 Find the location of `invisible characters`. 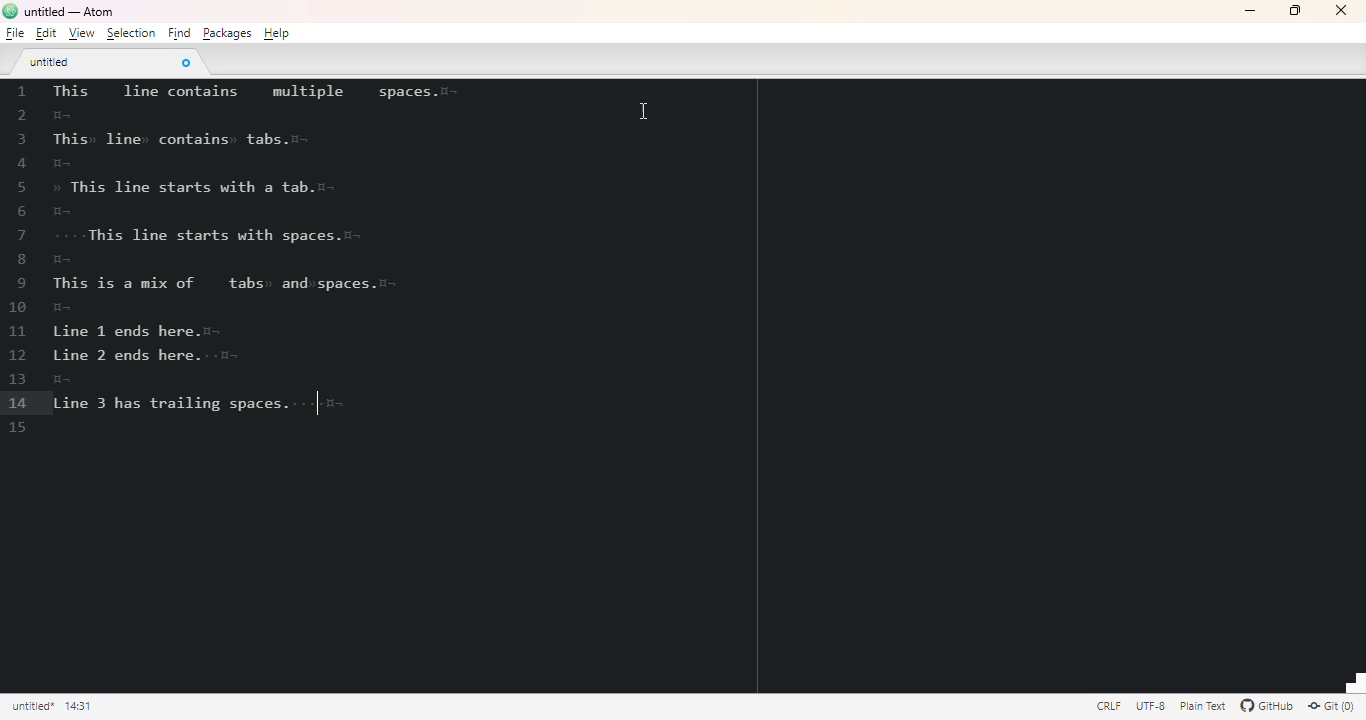

invisible characters is located at coordinates (63, 164).